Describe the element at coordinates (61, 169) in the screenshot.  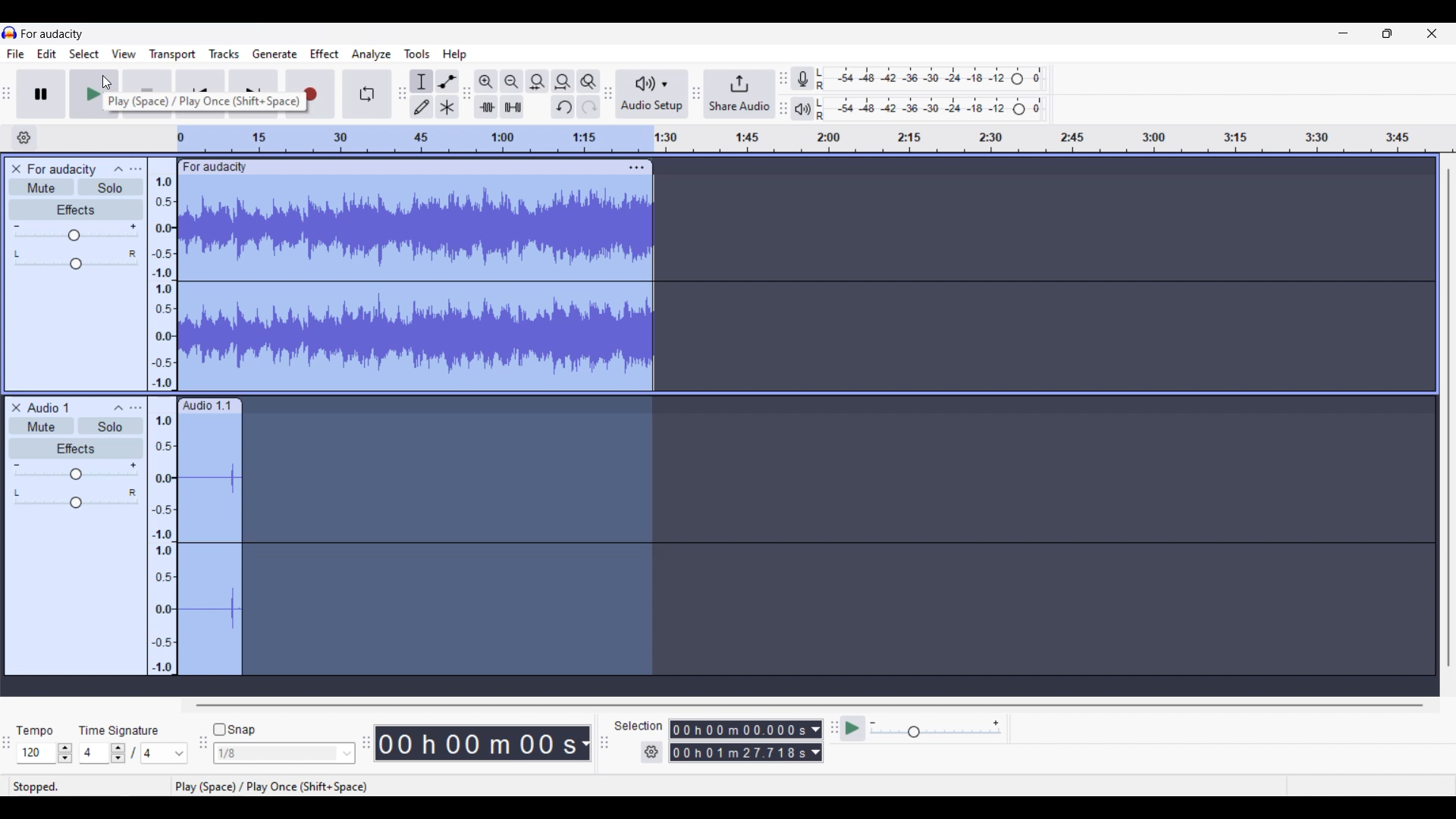
I see `Track name` at that location.